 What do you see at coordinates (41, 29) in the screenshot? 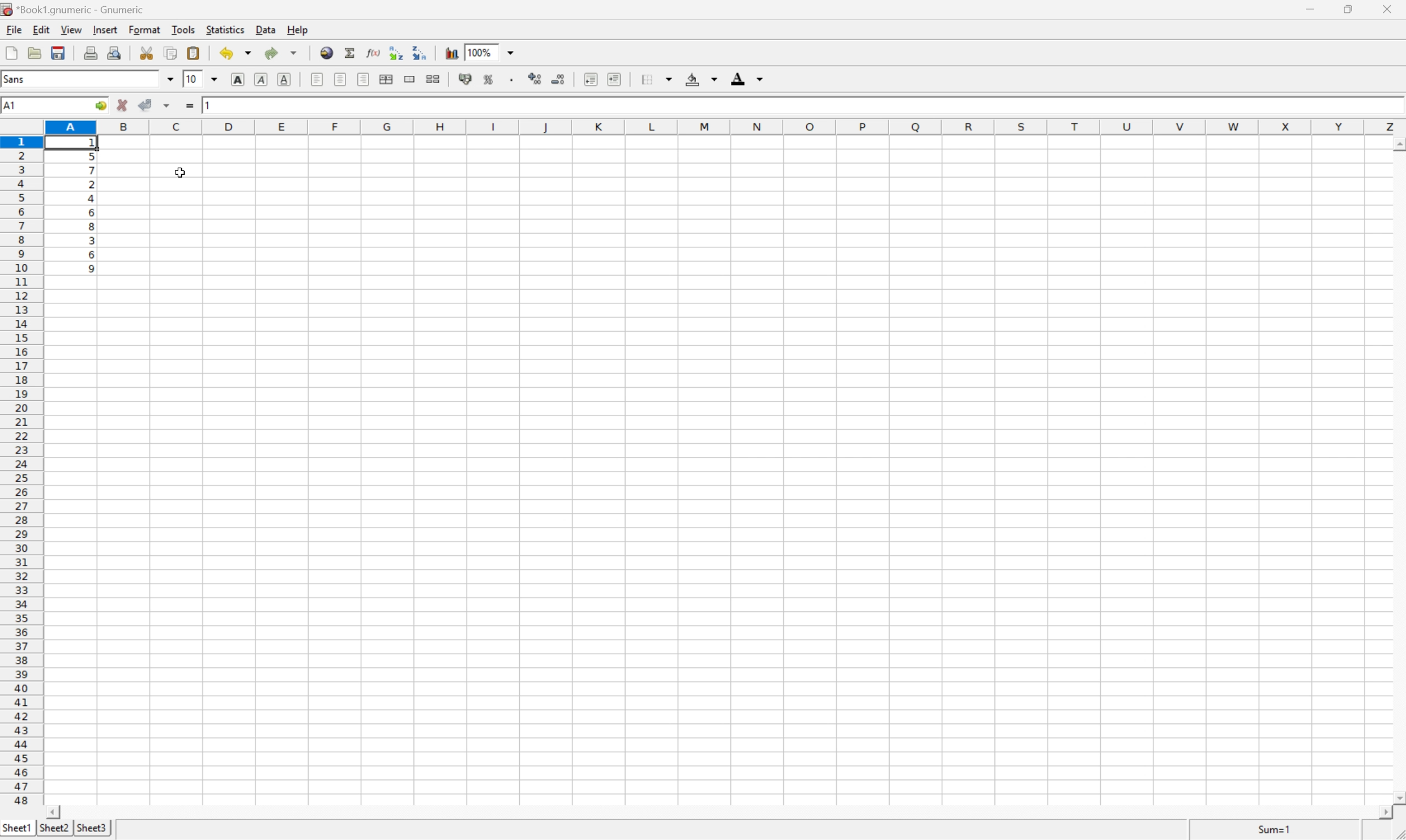
I see `edit` at bounding box center [41, 29].